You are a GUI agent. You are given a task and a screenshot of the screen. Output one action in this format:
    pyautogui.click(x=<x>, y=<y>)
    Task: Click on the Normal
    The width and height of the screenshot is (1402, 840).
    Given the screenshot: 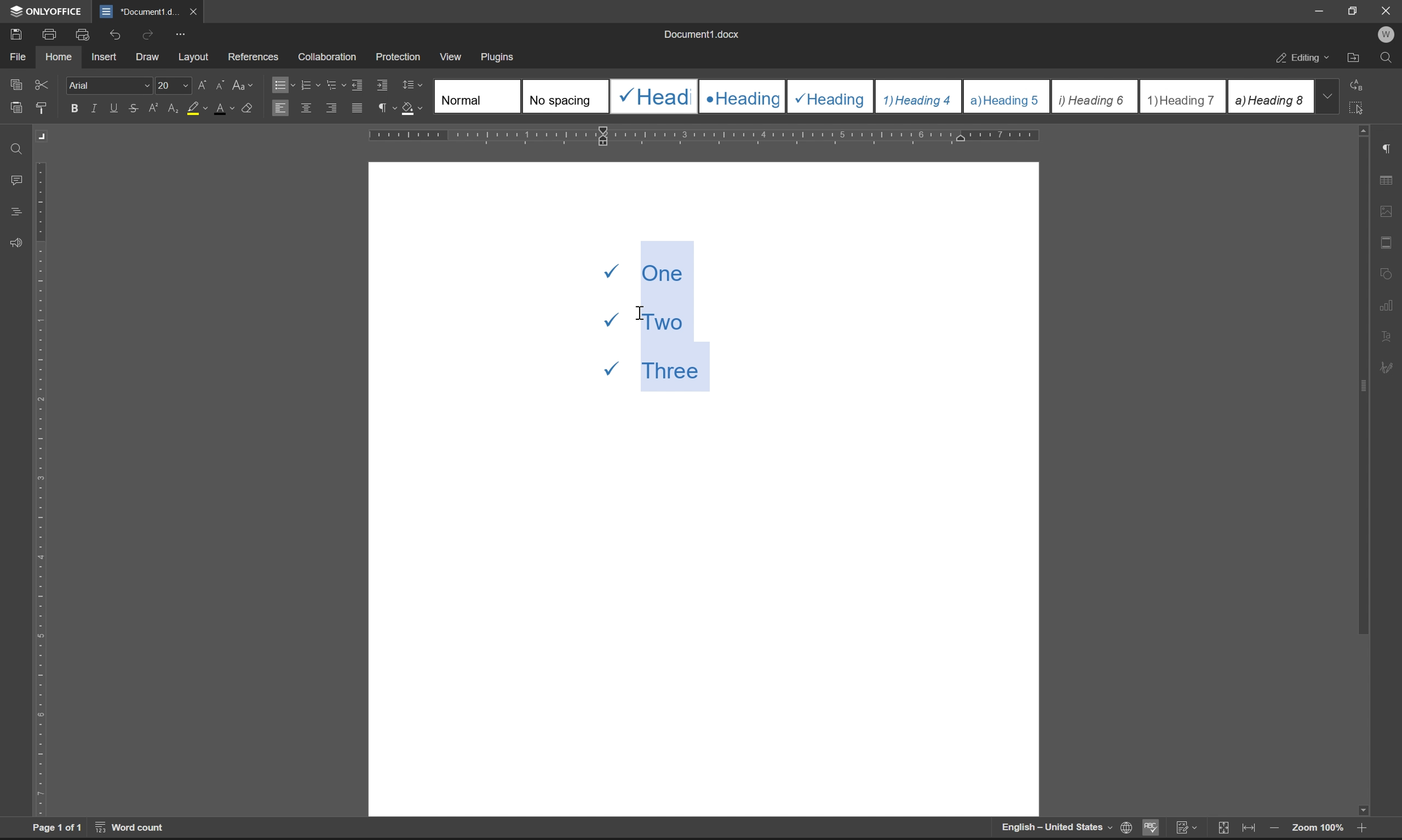 What is the action you would take?
    pyautogui.click(x=478, y=96)
    